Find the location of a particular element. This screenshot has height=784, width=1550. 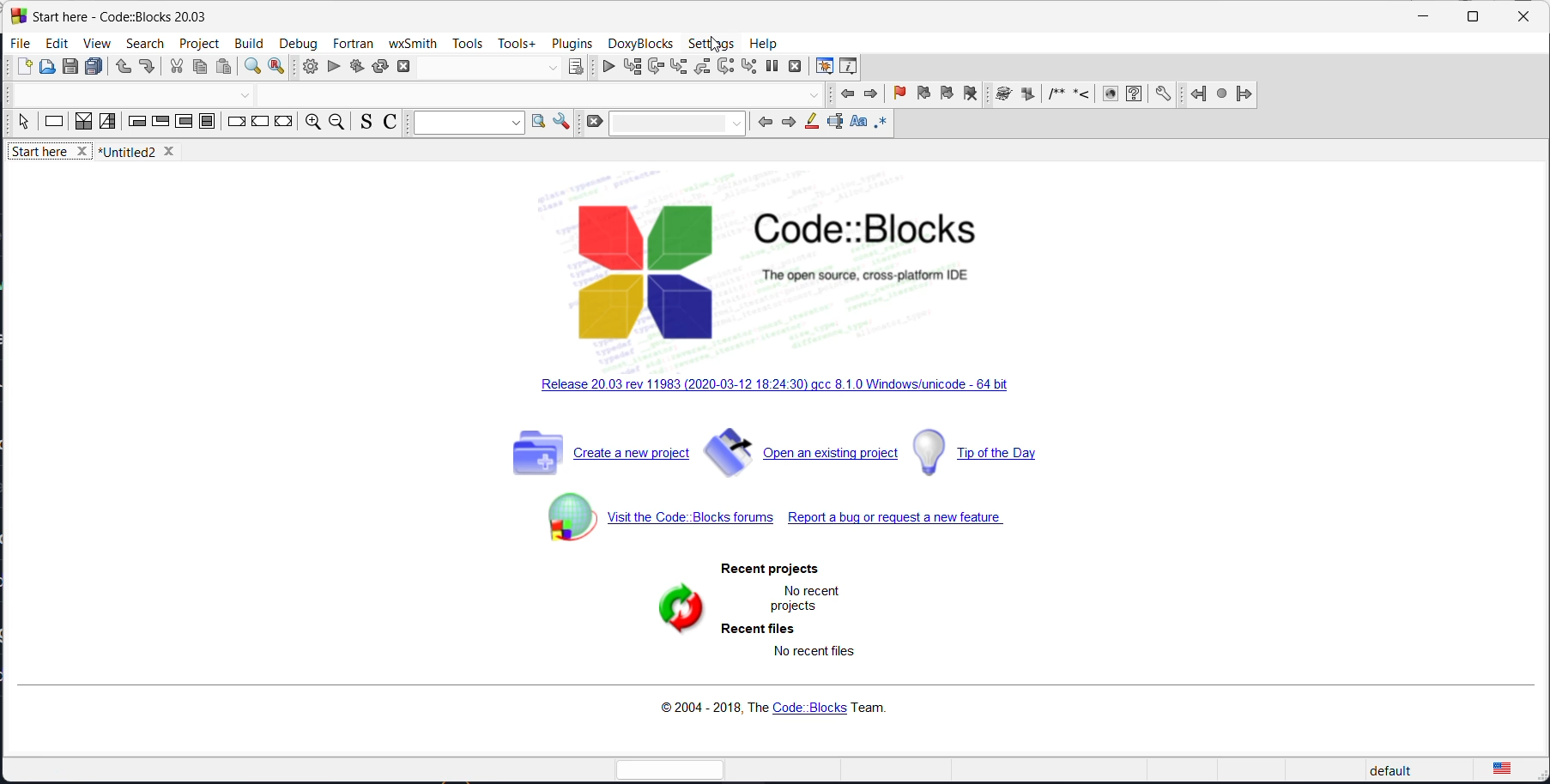

cut is located at coordinates (176, 68).